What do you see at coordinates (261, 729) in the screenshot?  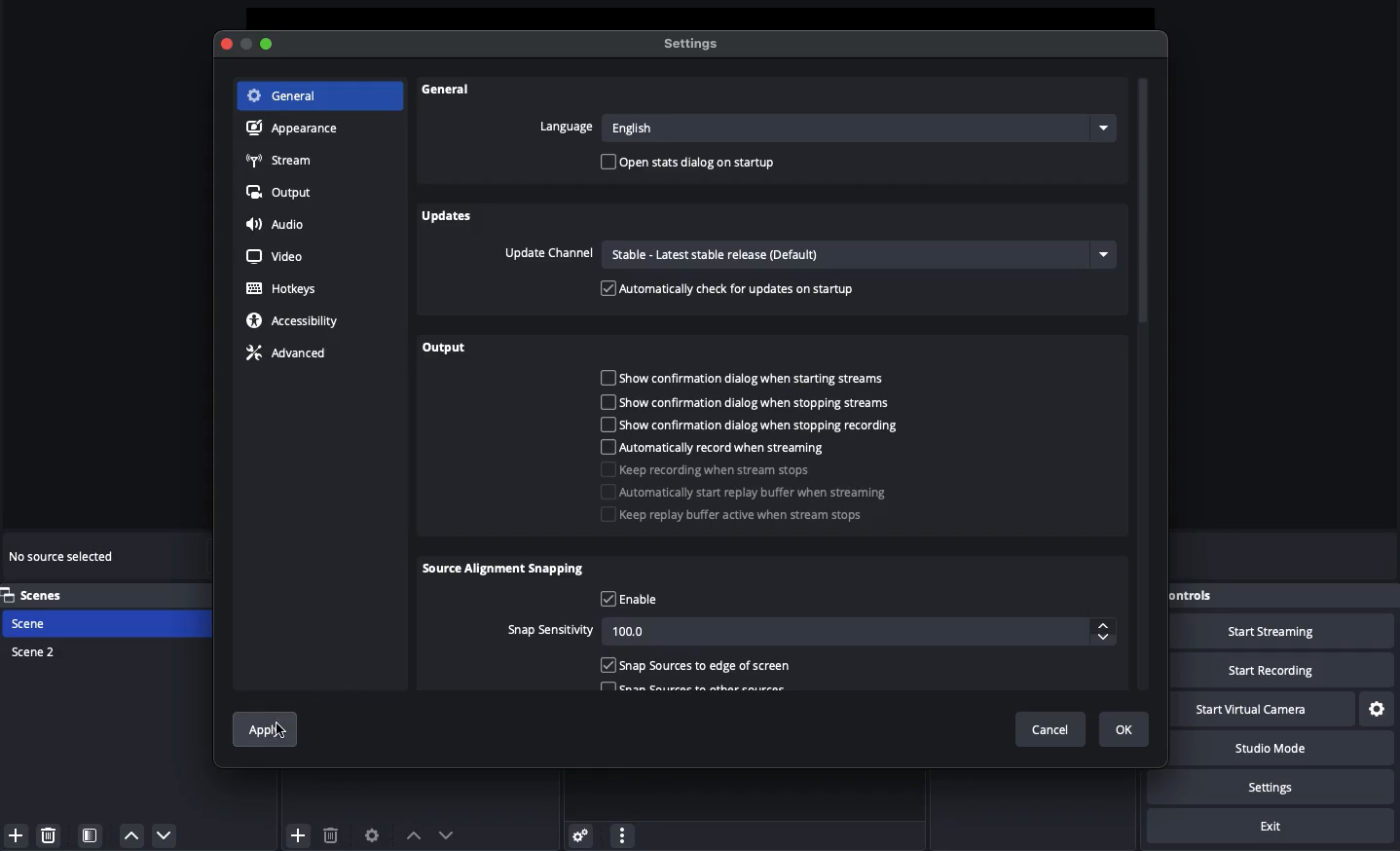 I see `apply` at bounding box center [261, 729].